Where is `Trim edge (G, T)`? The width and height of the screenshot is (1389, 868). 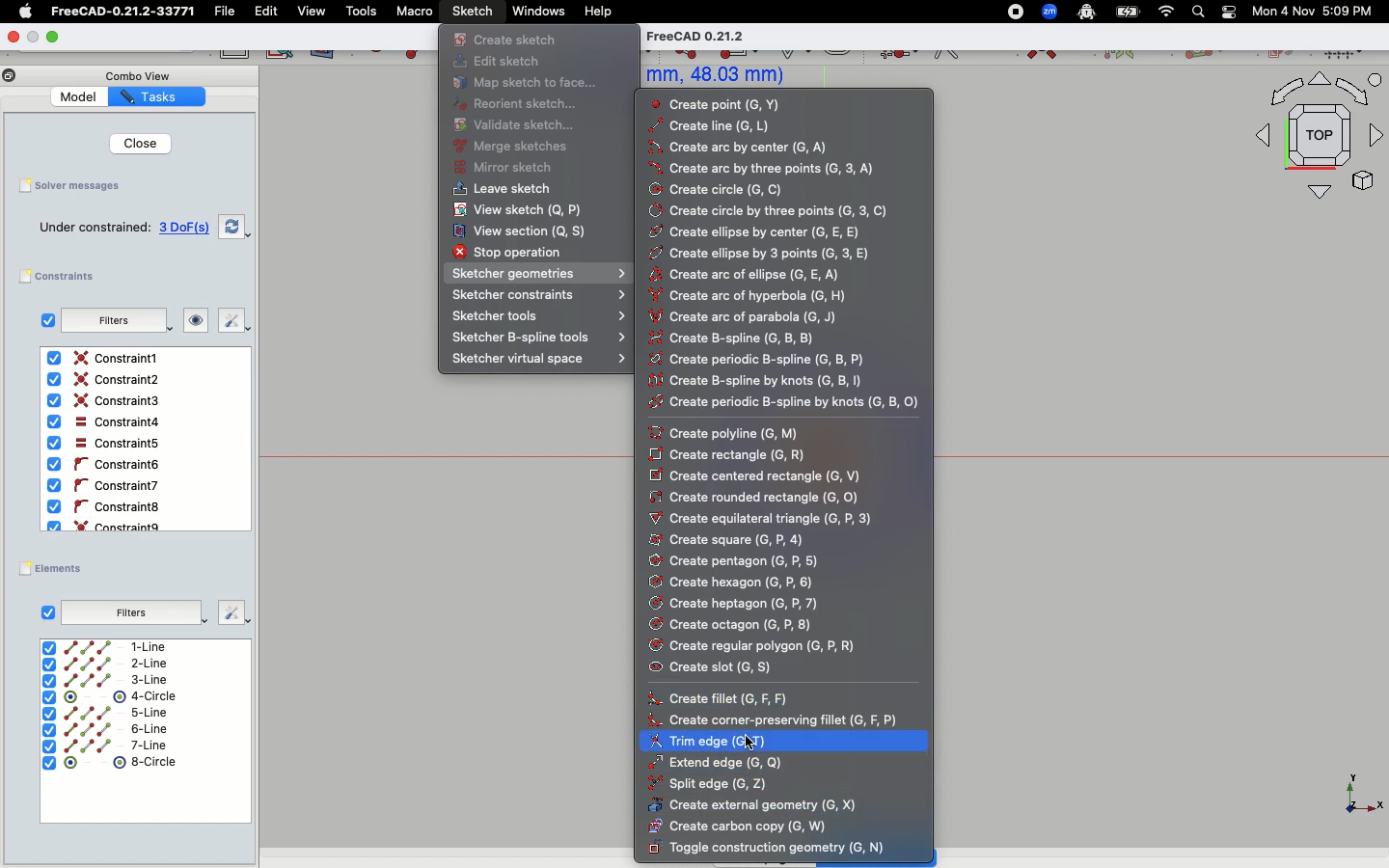
Trim edge (G, T) is located at coordinates (706, 740).